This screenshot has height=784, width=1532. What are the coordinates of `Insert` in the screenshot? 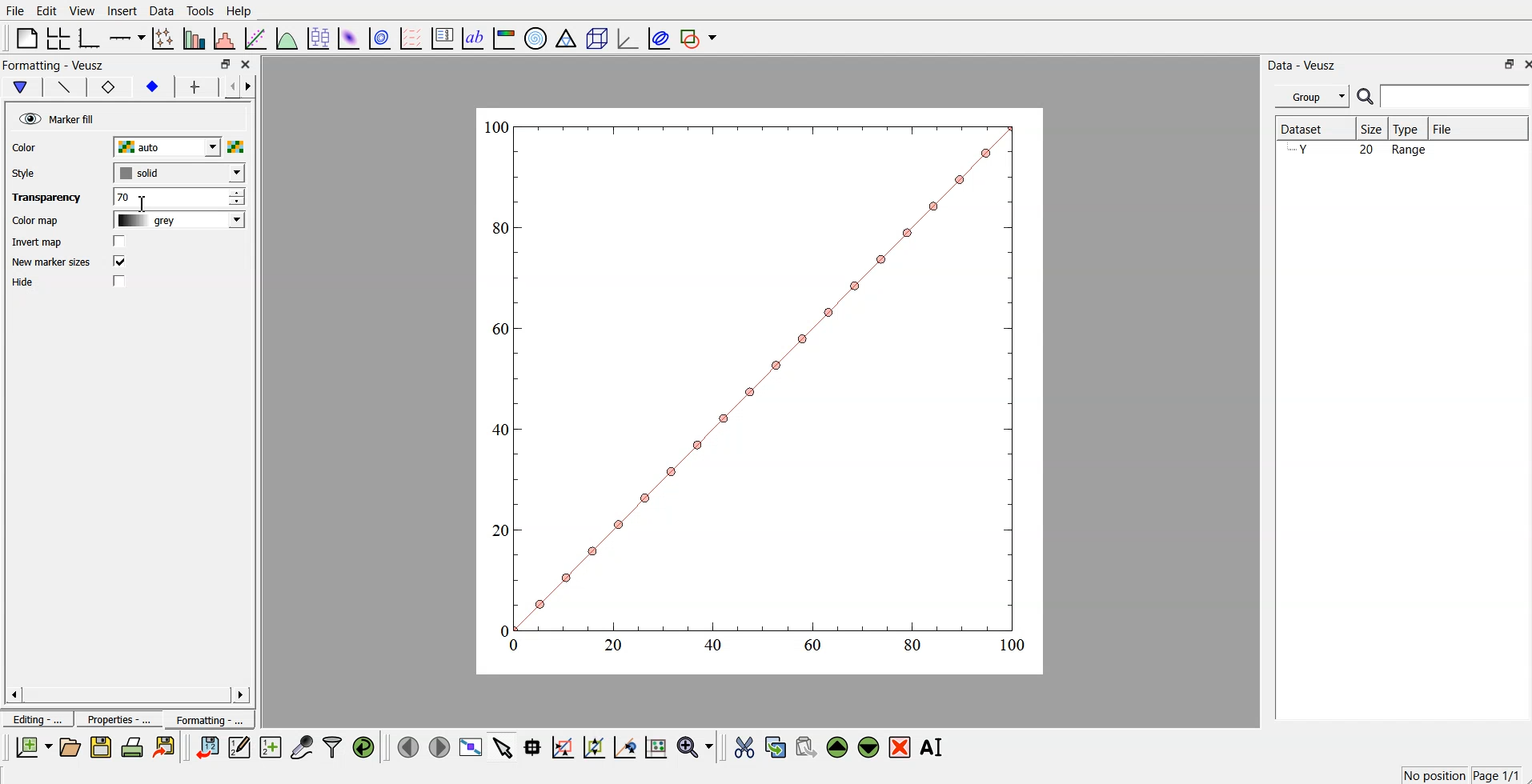 It's located at (120, 11).